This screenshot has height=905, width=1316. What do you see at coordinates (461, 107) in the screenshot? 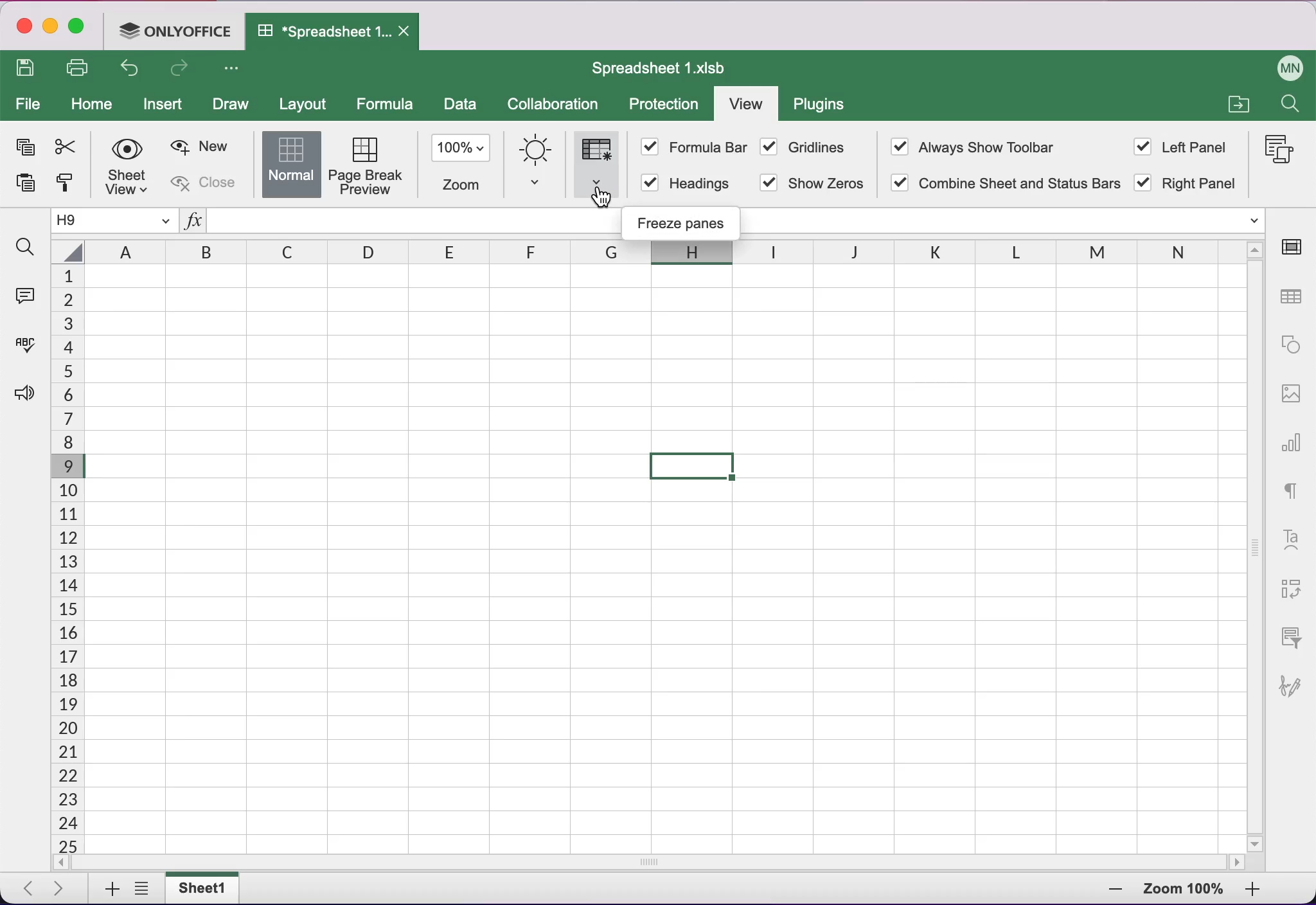
I see `data` at bounding box center [461, 107].